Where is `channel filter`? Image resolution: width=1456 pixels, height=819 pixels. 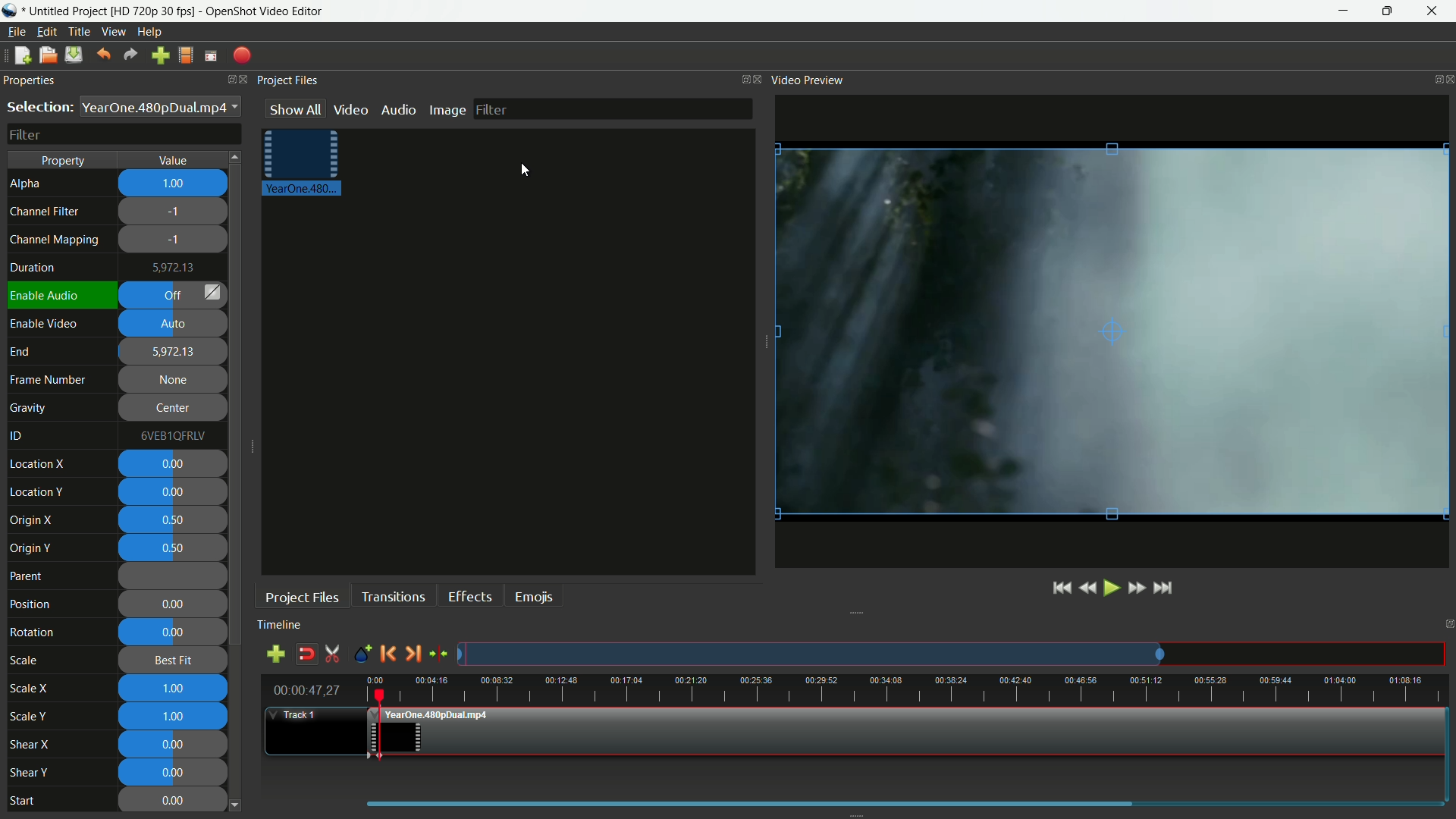
channel filter is located at coordinates (44, 211).